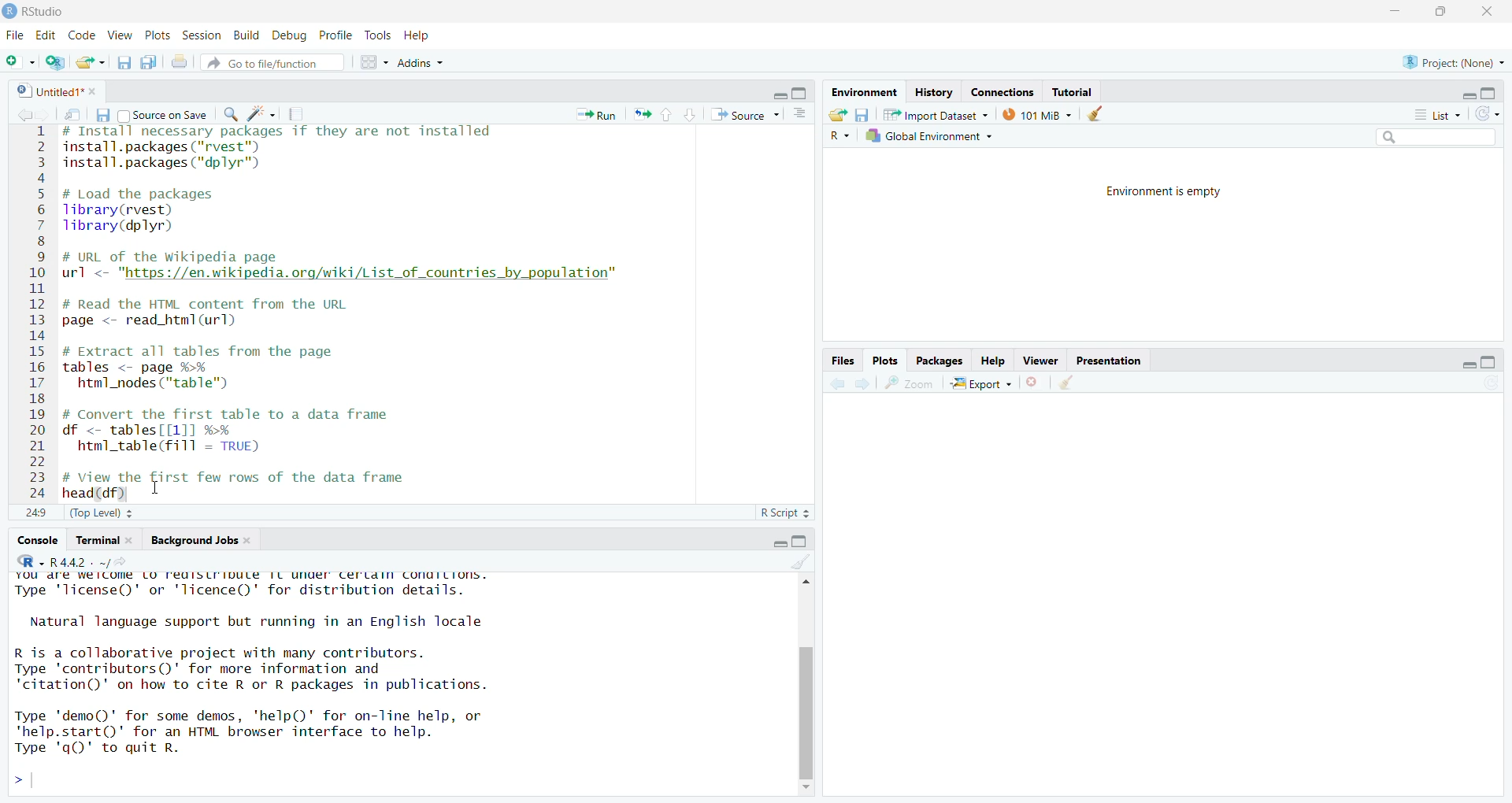 The image size is (1512, 803). Describe the element at coordinates (150, 211) in the screenshot. I see `# Load the packages library(rvest) library(dplyr)` at that location.